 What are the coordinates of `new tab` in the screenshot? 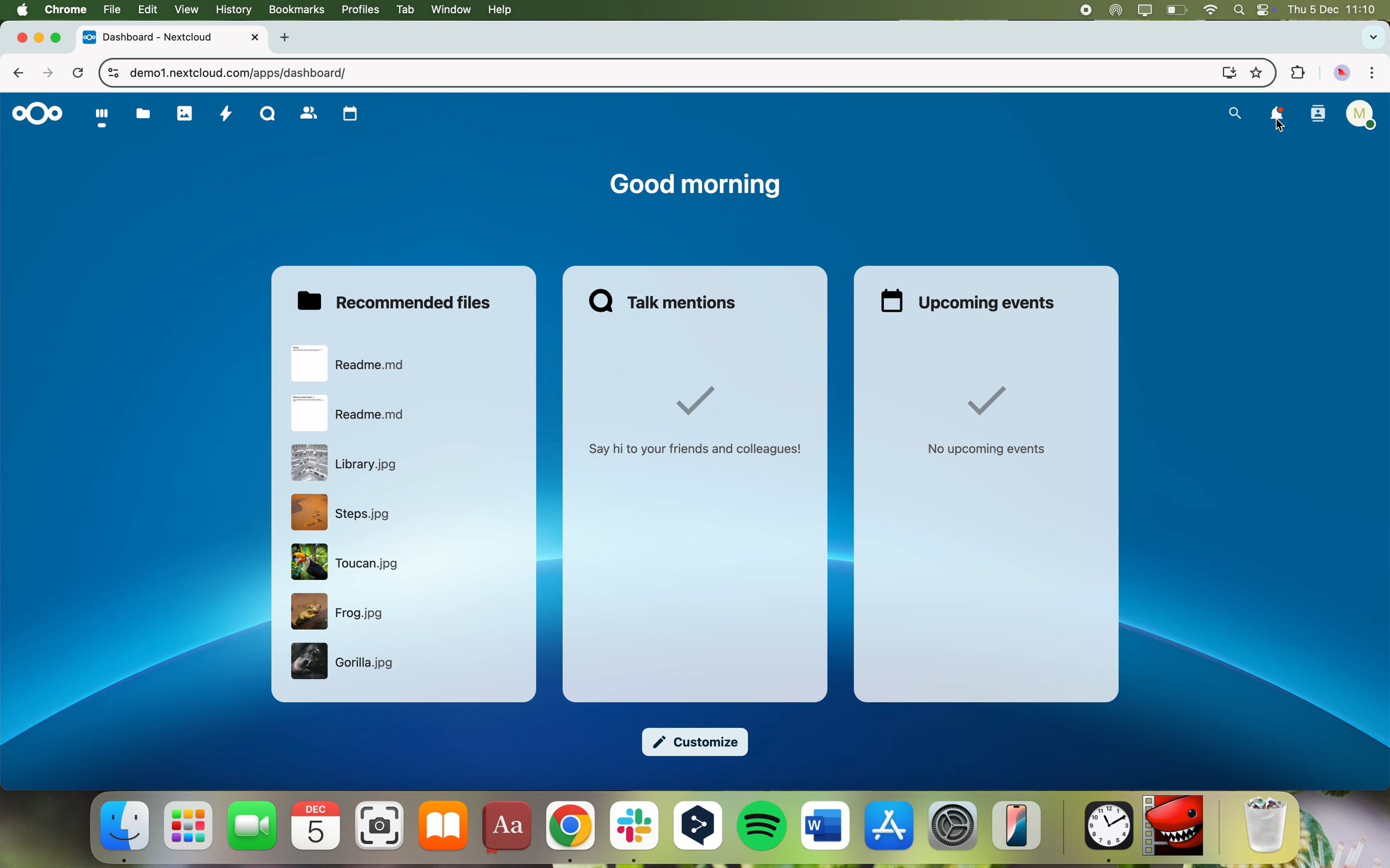 It's located at (287, 38).